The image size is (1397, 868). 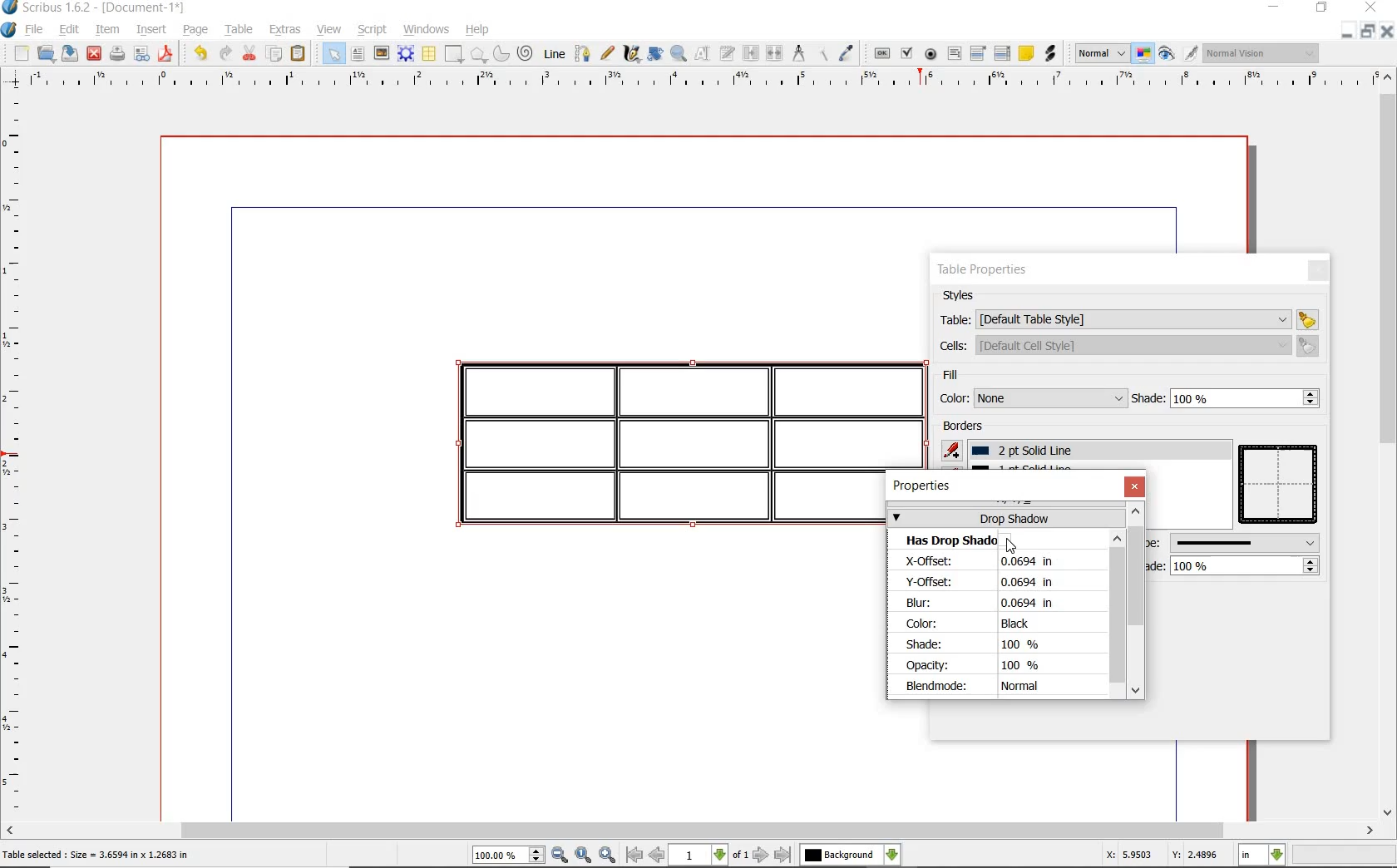 I want to click on script, so click(x=373, y=31).